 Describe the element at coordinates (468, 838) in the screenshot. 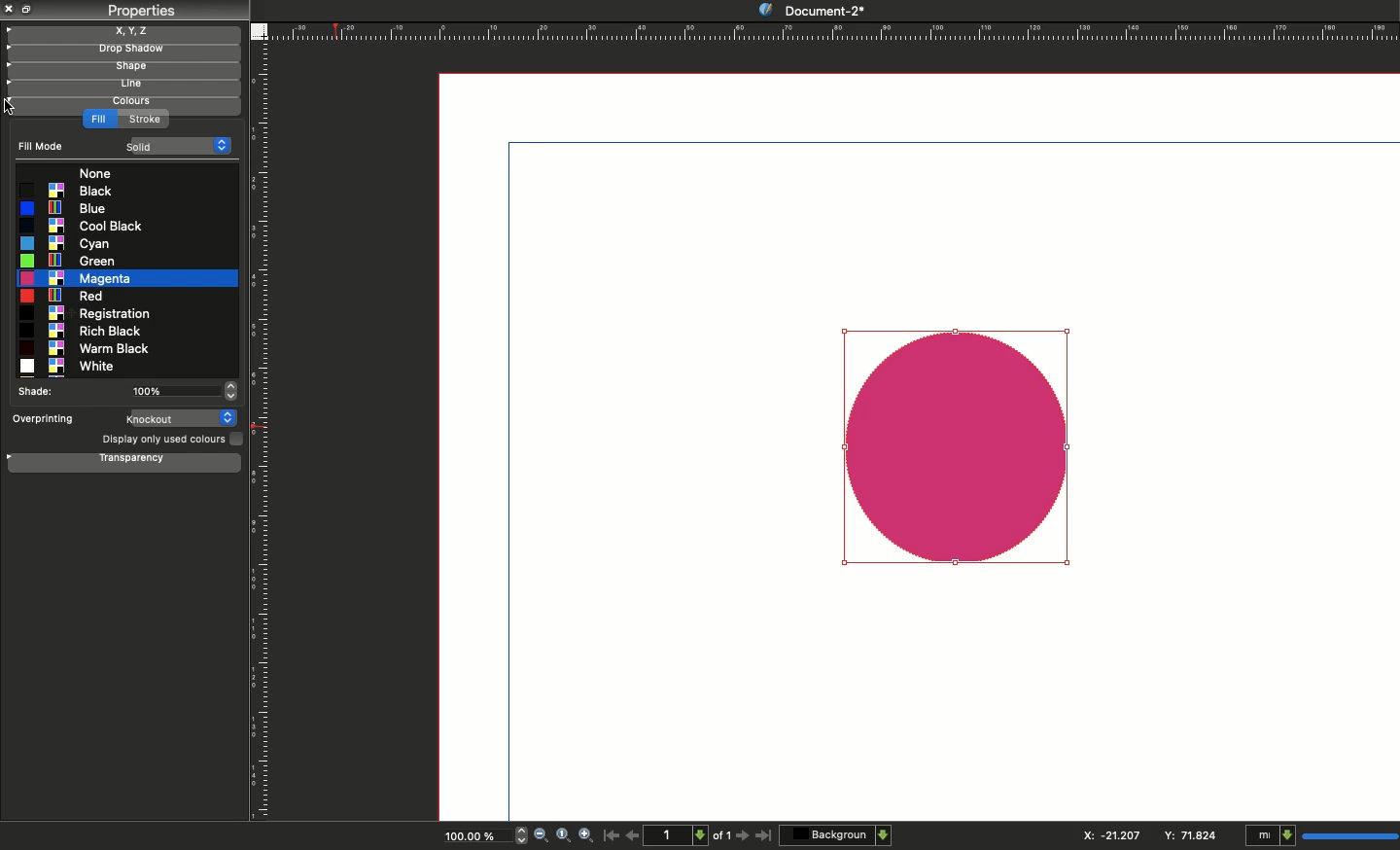

I see `100.00%` at that location.